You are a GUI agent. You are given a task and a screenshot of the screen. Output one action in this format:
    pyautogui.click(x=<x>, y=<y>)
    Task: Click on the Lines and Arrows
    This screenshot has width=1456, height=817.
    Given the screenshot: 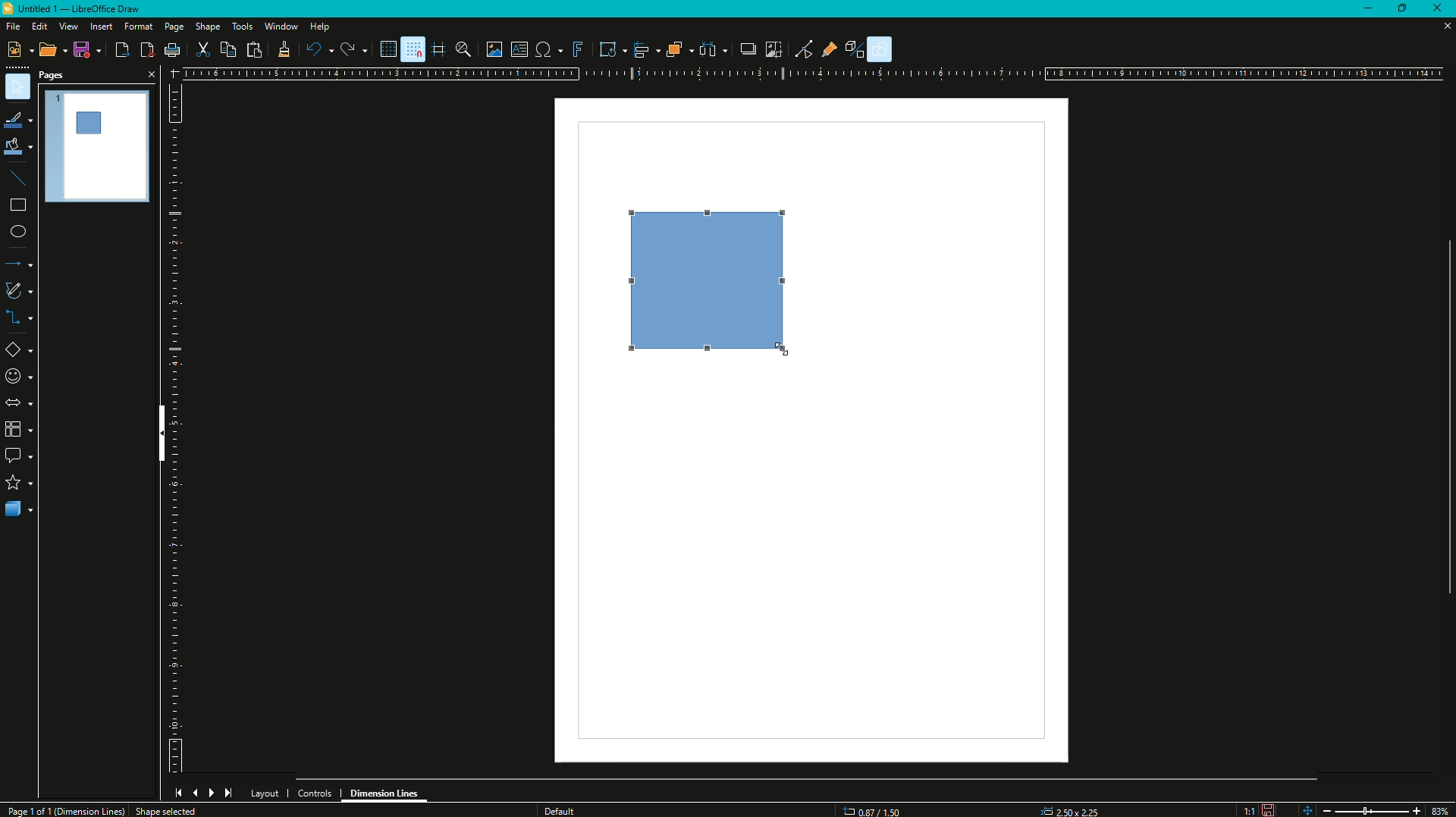 What is the action you would take?
    pyautogui.click(x=20, y=265)
    